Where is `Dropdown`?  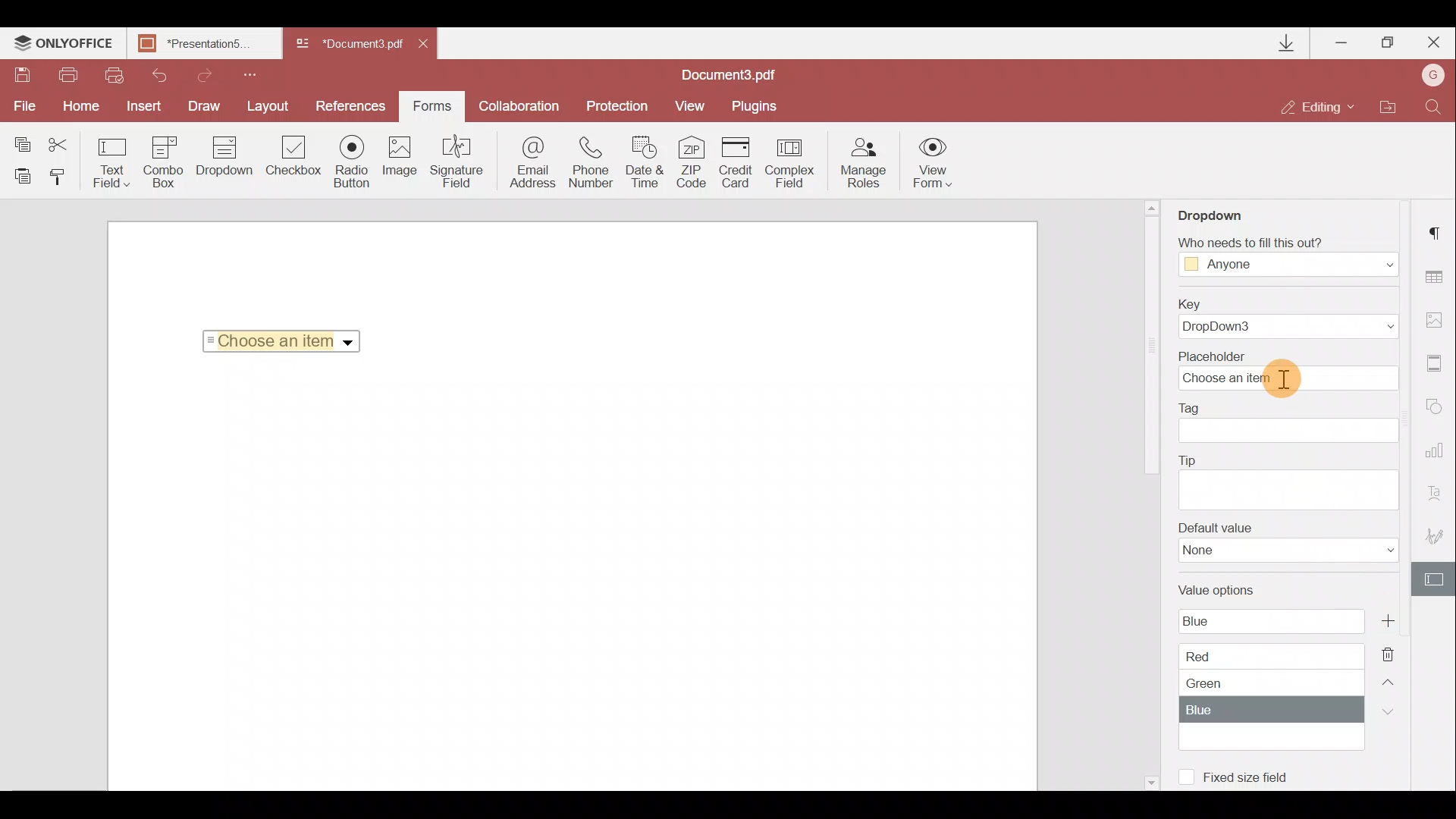
Dropdown is located at coordinates (221, 165).